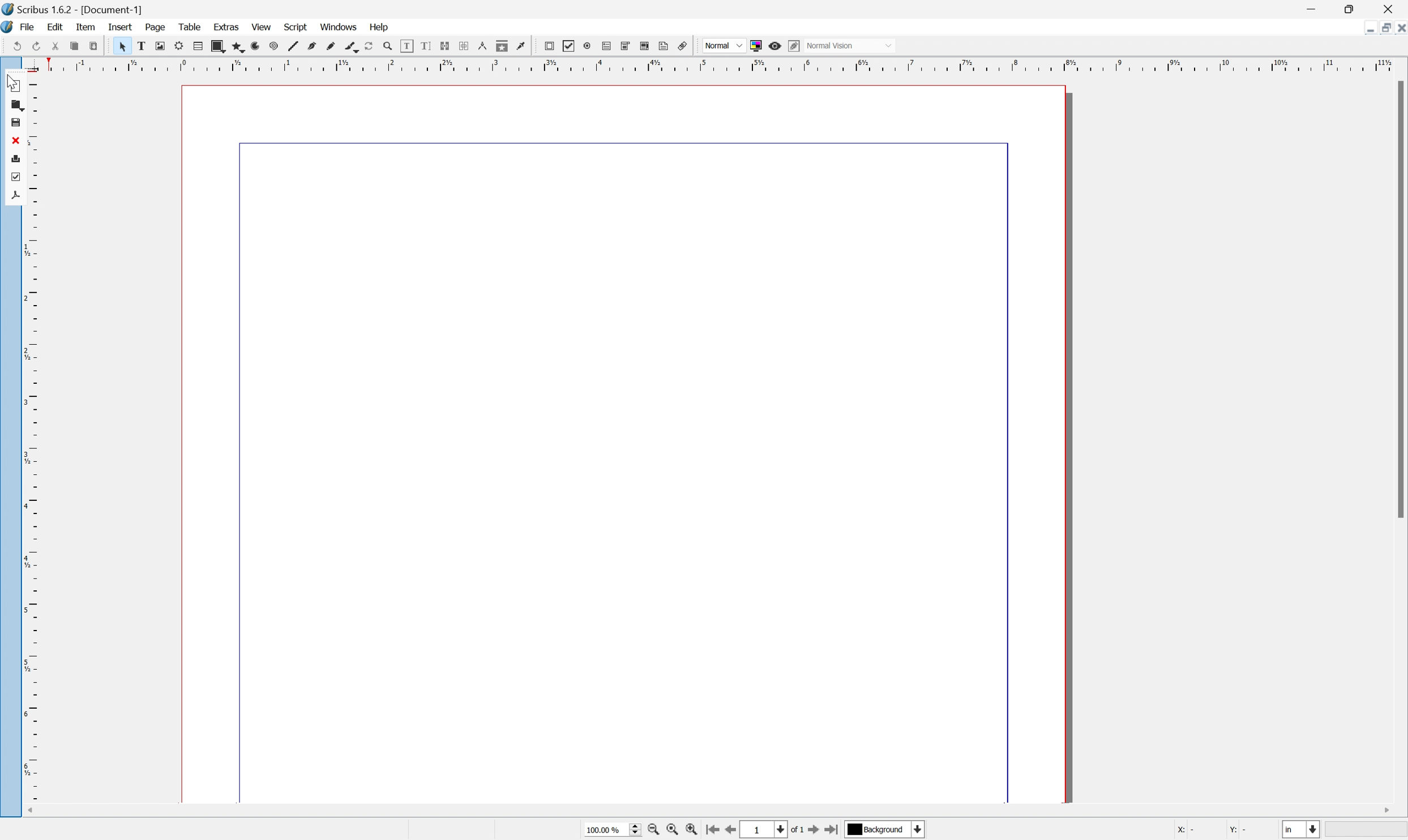 The width and height of the screenshot is (1408, 840). Describe the element at coordinates (670, 831) in the screenshot. I see `zoom to 100%` at that location.